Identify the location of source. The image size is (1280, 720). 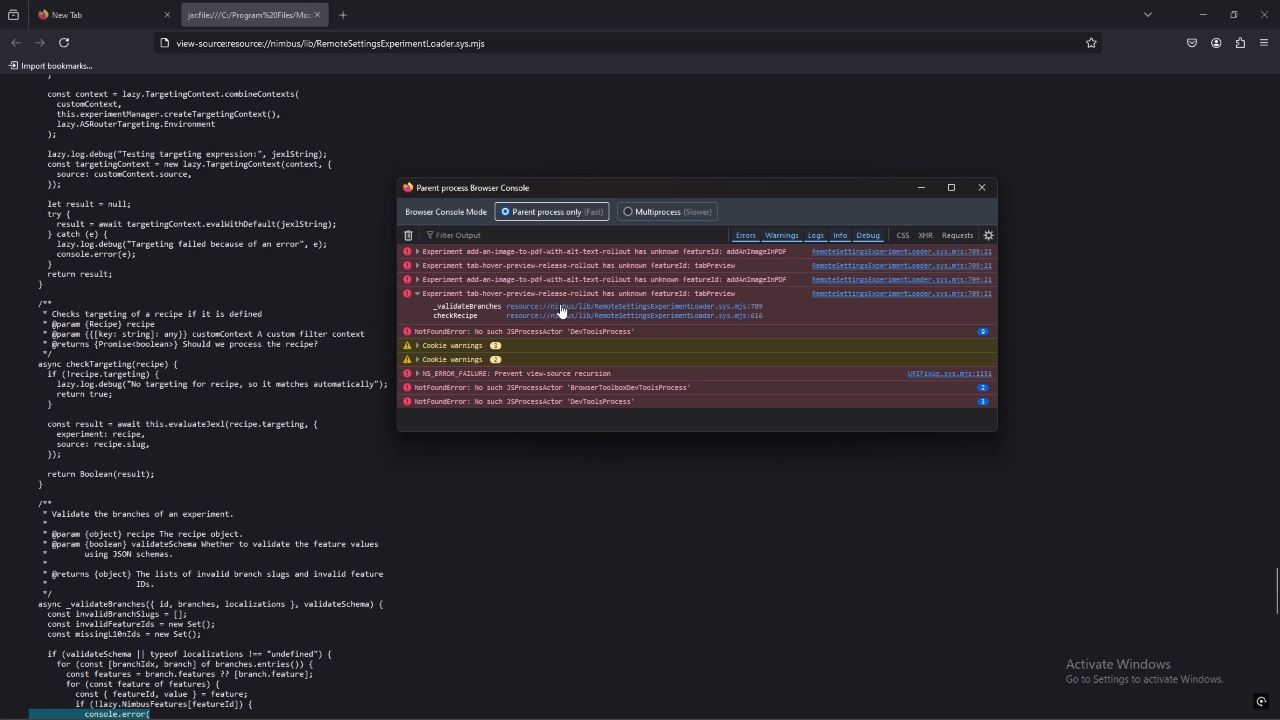
(902, 265).